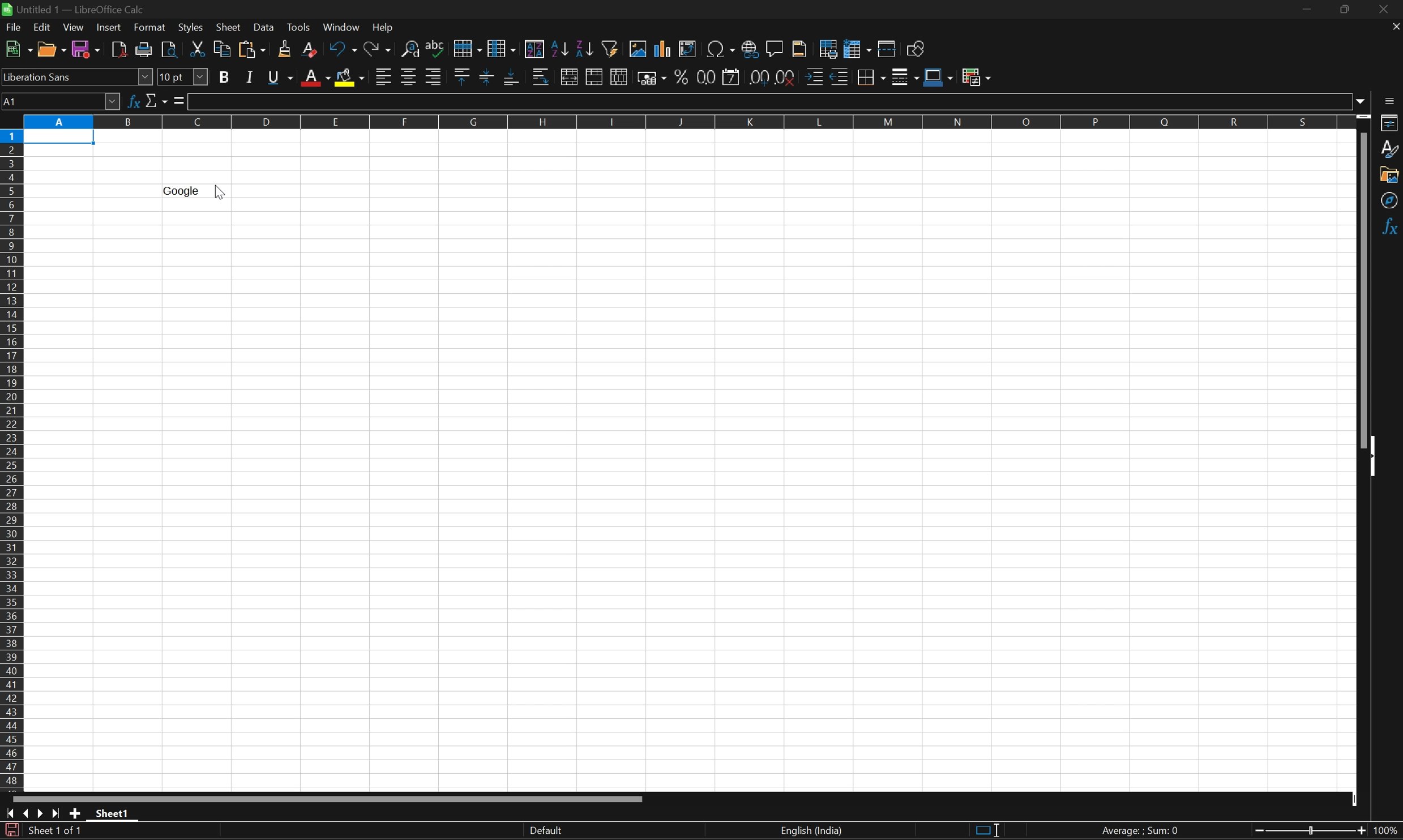  Describe the element at coordinates (1308, 10) in the screenshot. I see `Minimize` at that location.